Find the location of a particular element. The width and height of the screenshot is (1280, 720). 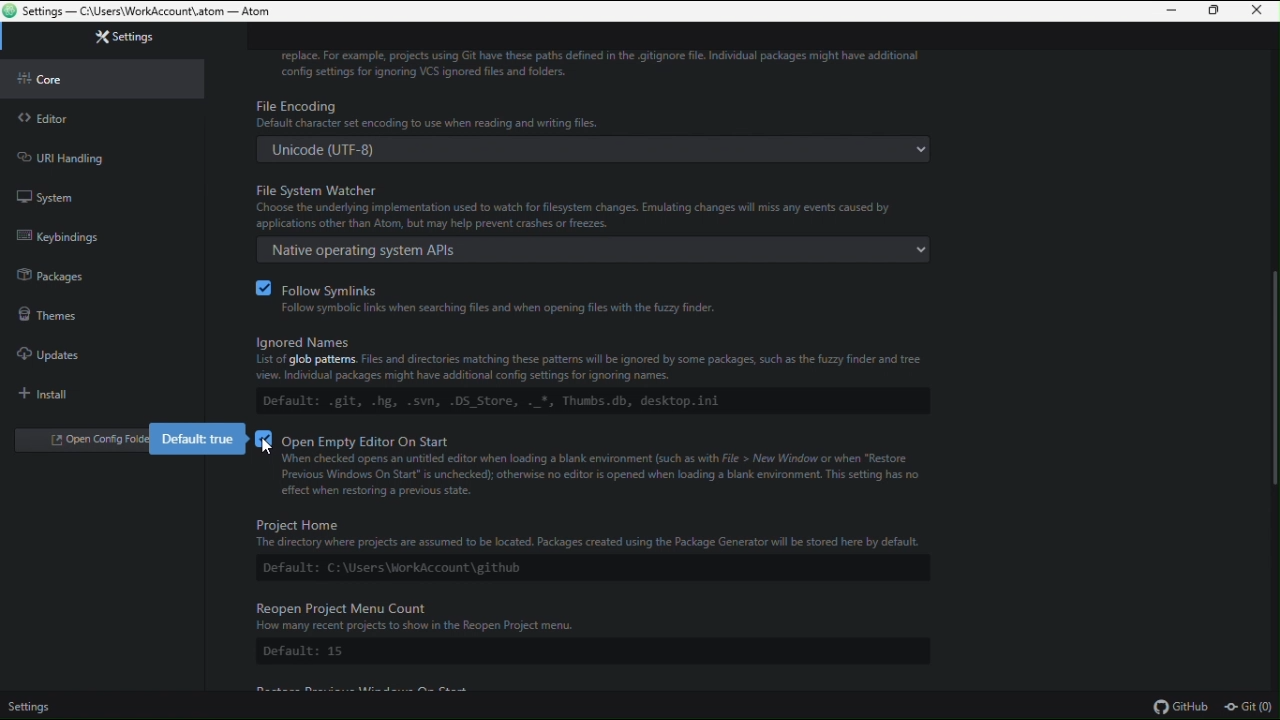

cursor is located at coordinates (266, 447).